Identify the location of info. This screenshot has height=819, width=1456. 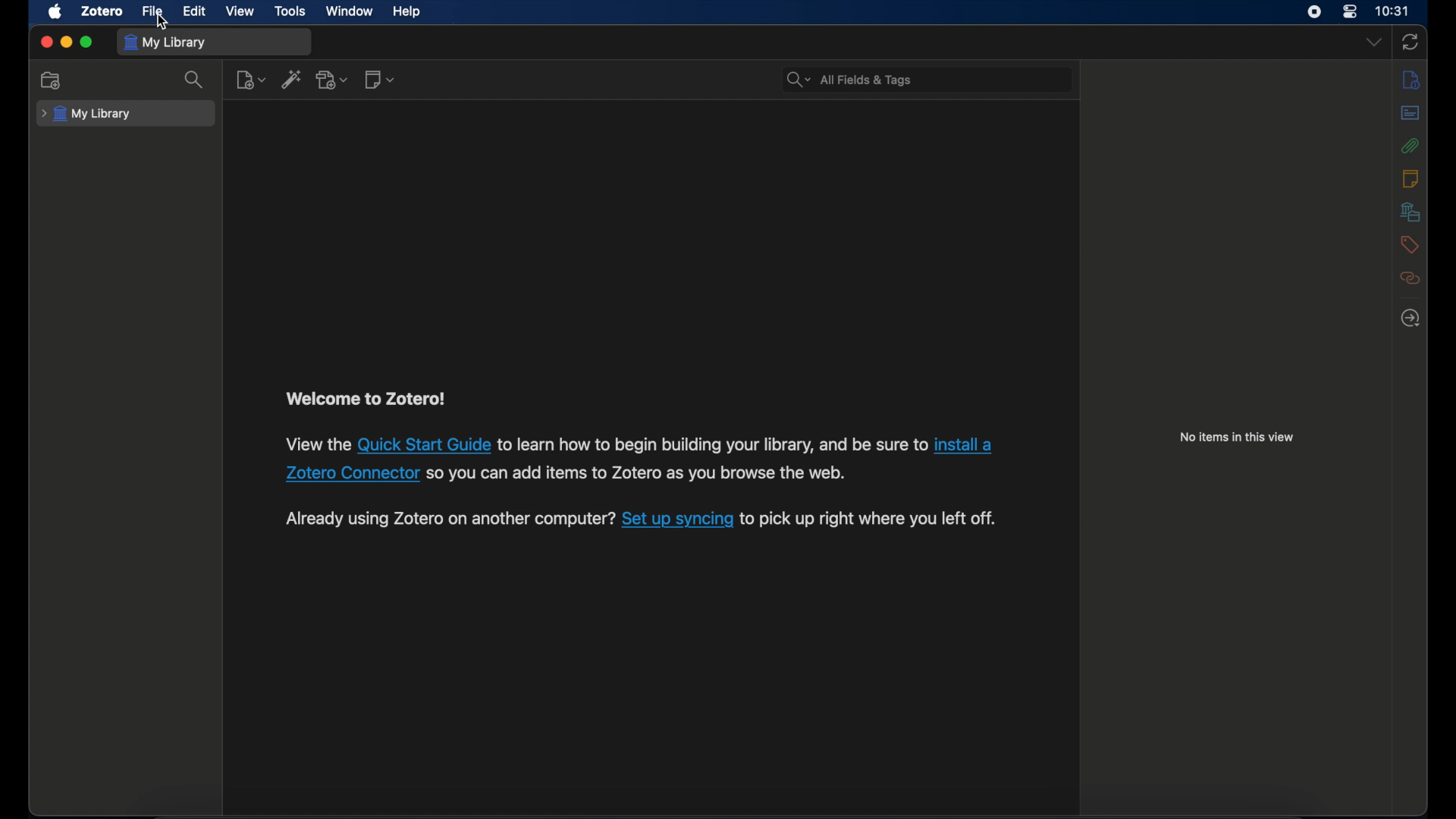
(1412, 79).